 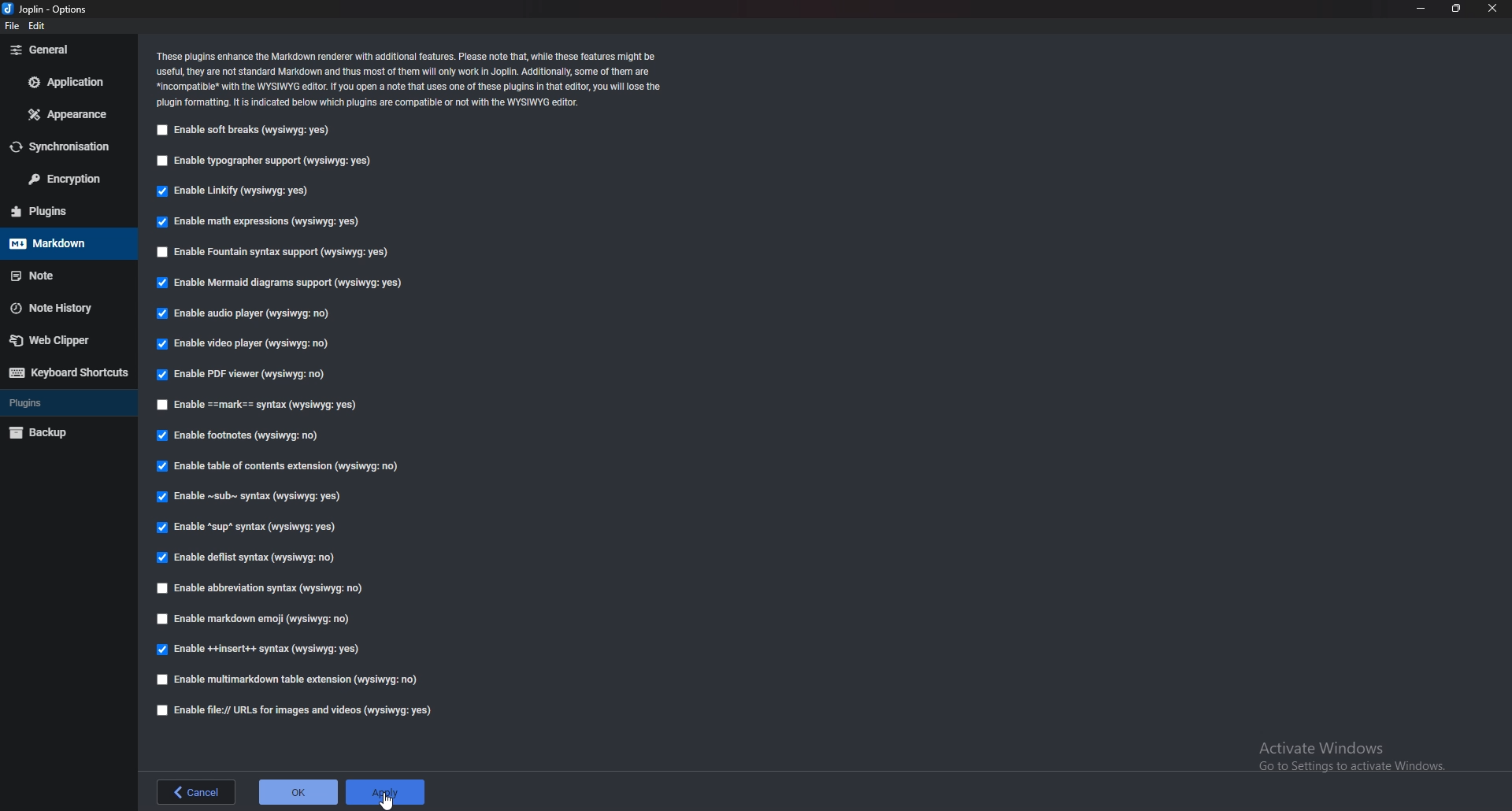 I want to click on Plugins, so click(x=63, y=402).